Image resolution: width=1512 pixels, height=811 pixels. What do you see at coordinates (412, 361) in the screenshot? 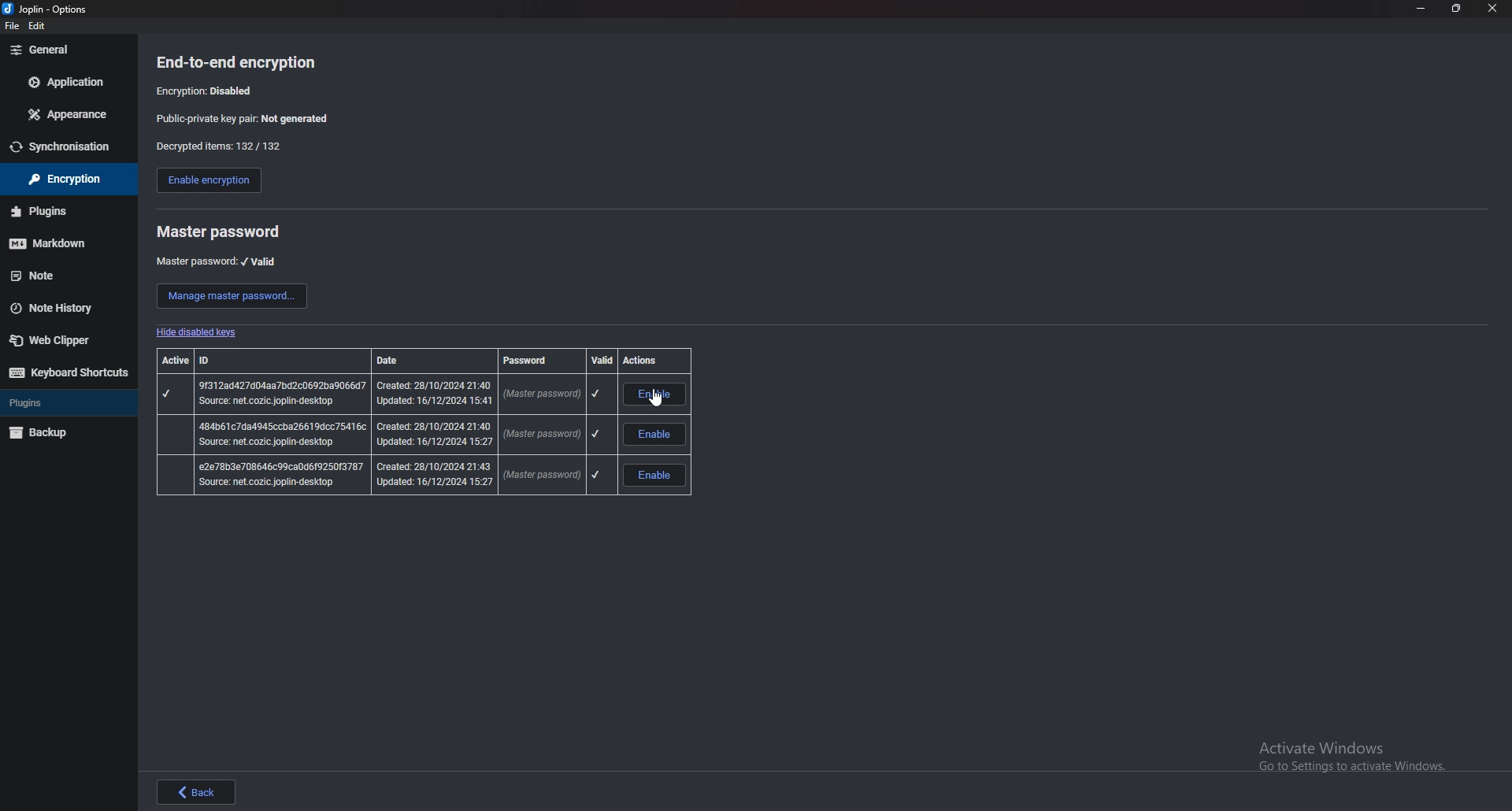
I see `date` at bounding box center [412, 361].